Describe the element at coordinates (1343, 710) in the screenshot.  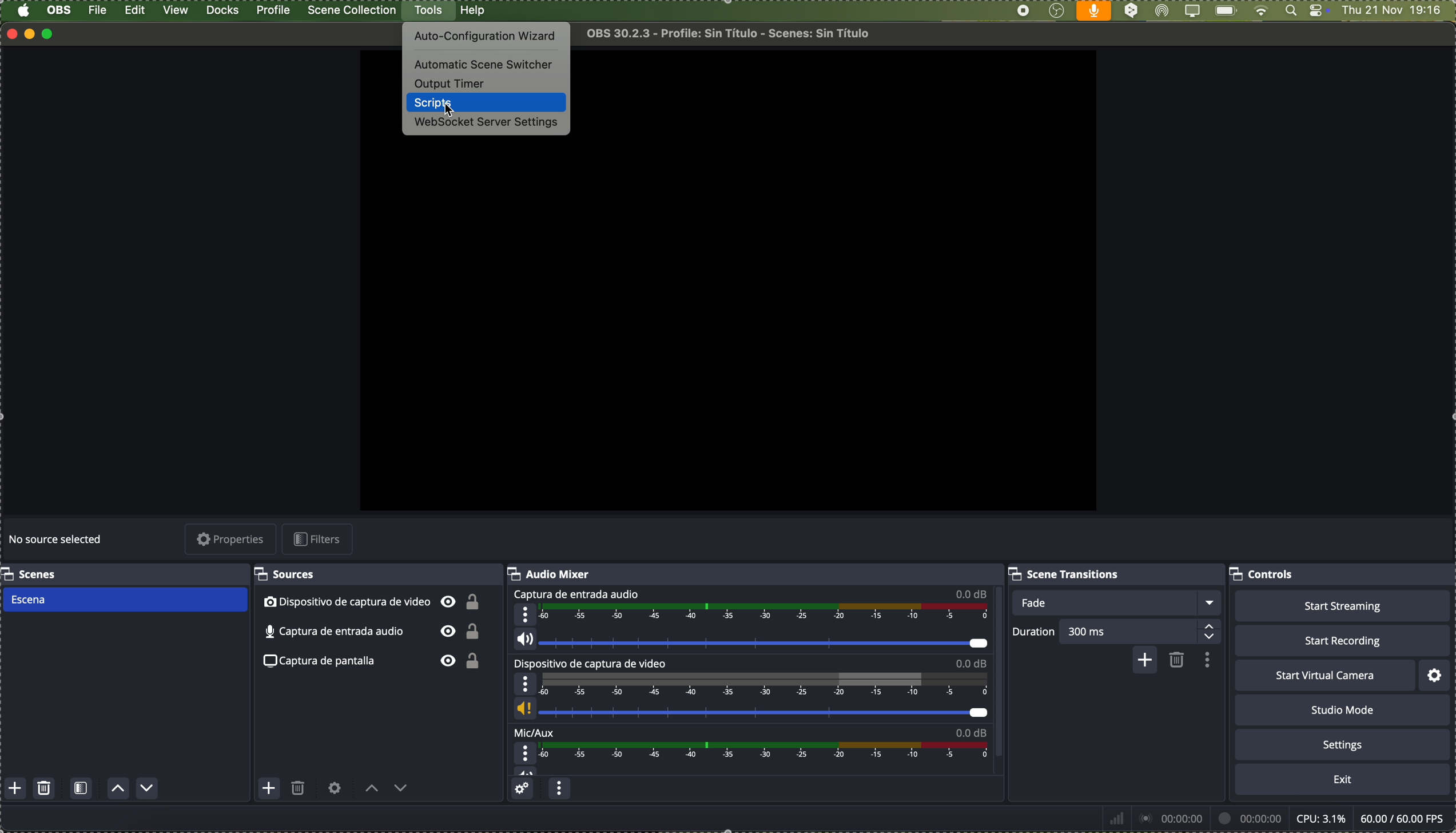
I see `studio mode` at that location.